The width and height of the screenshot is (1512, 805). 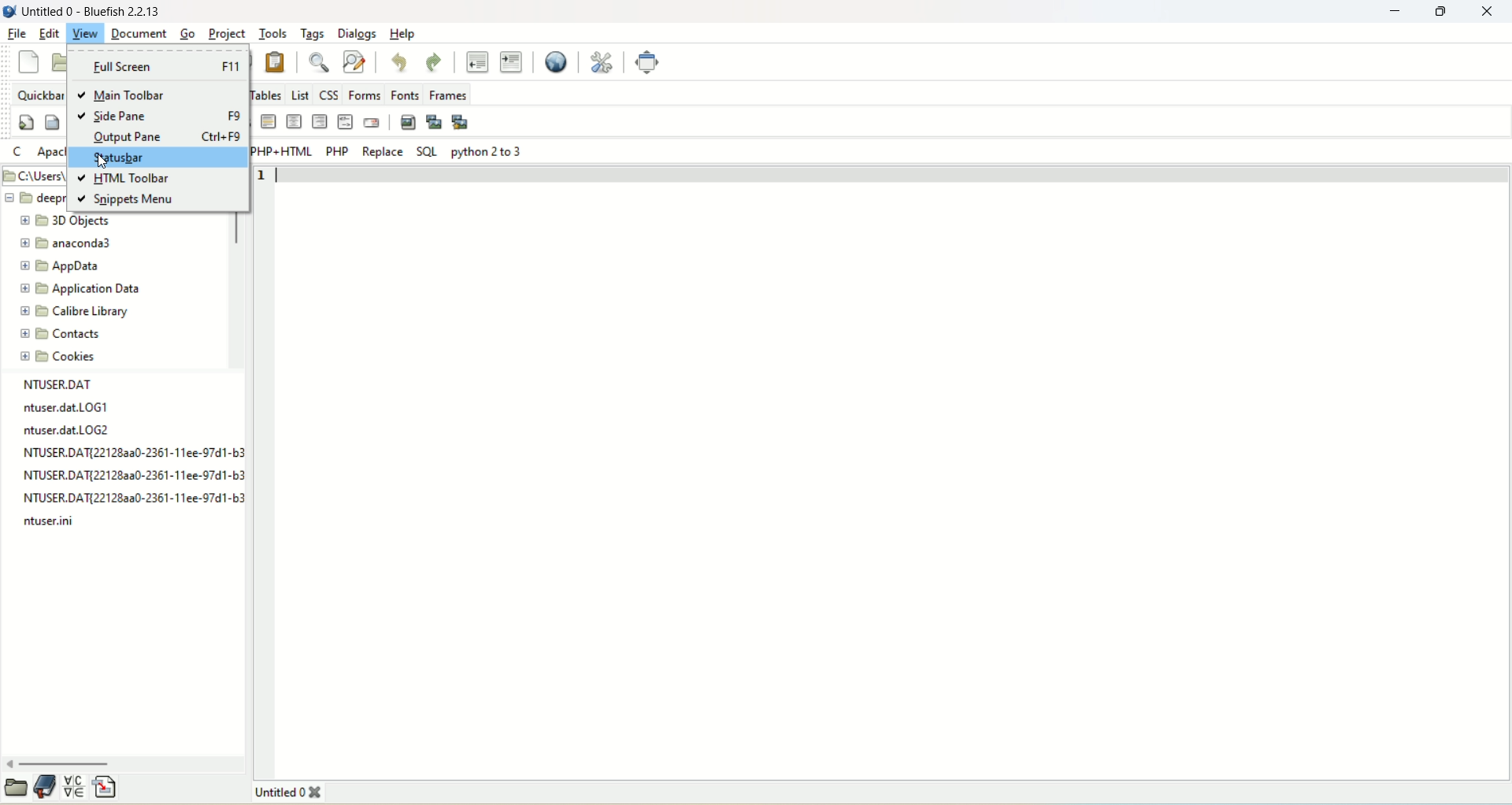 I want to click on dialogs, so click(x=356, y=33).